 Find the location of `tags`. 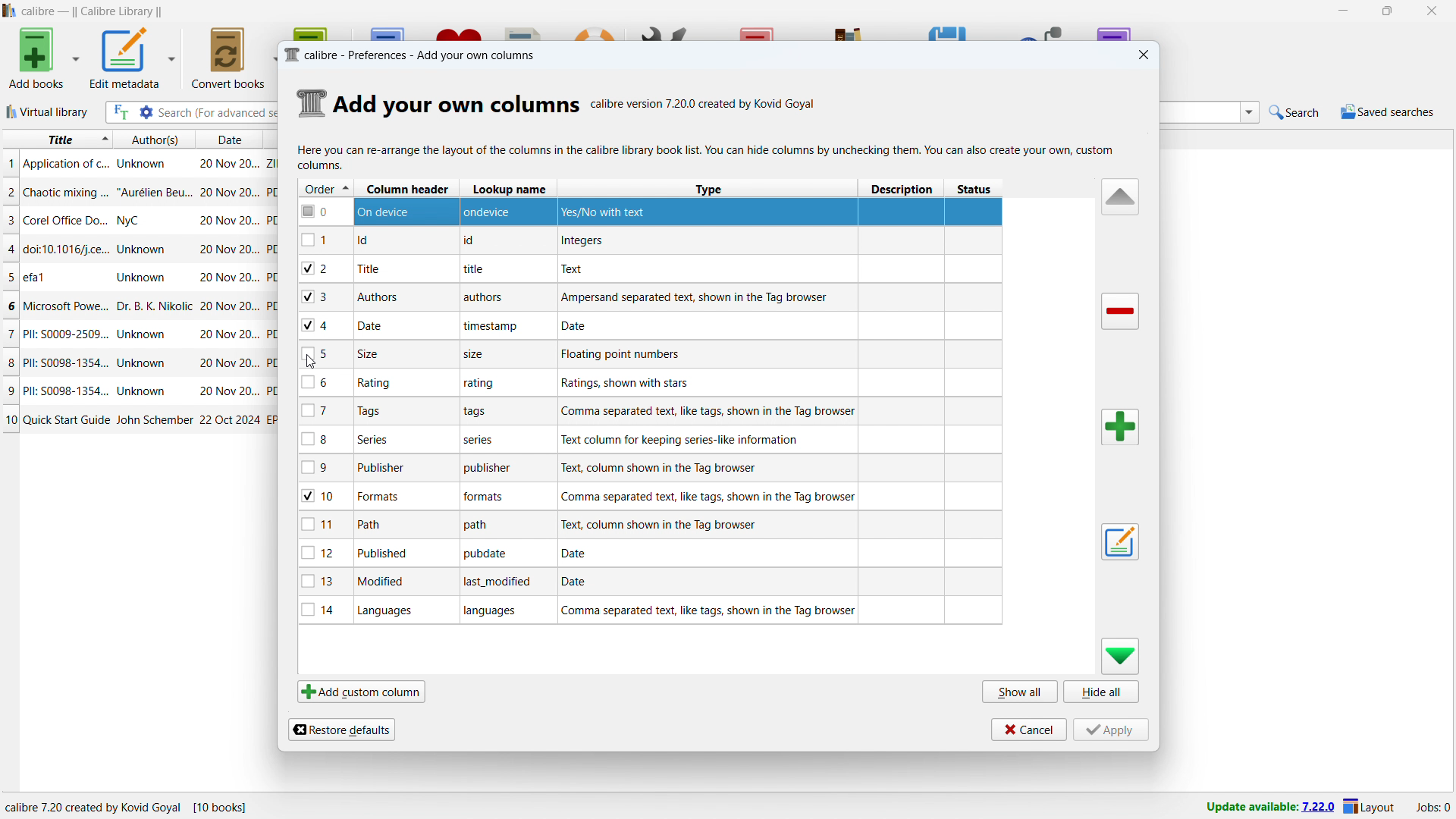

tags is located at coordinates (394, 413).